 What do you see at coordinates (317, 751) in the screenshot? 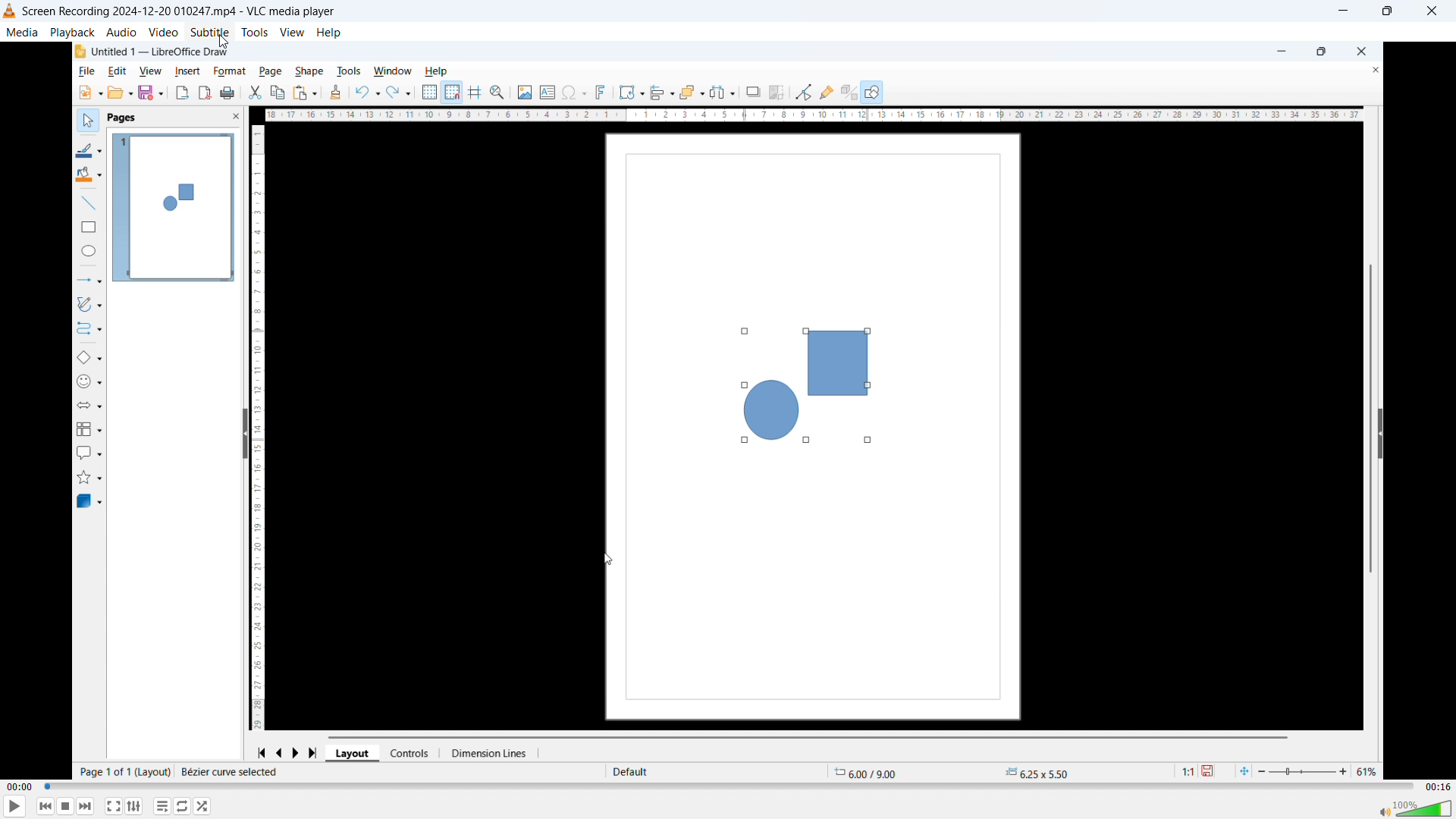
I see `last page` at bounding box center [317, 751].